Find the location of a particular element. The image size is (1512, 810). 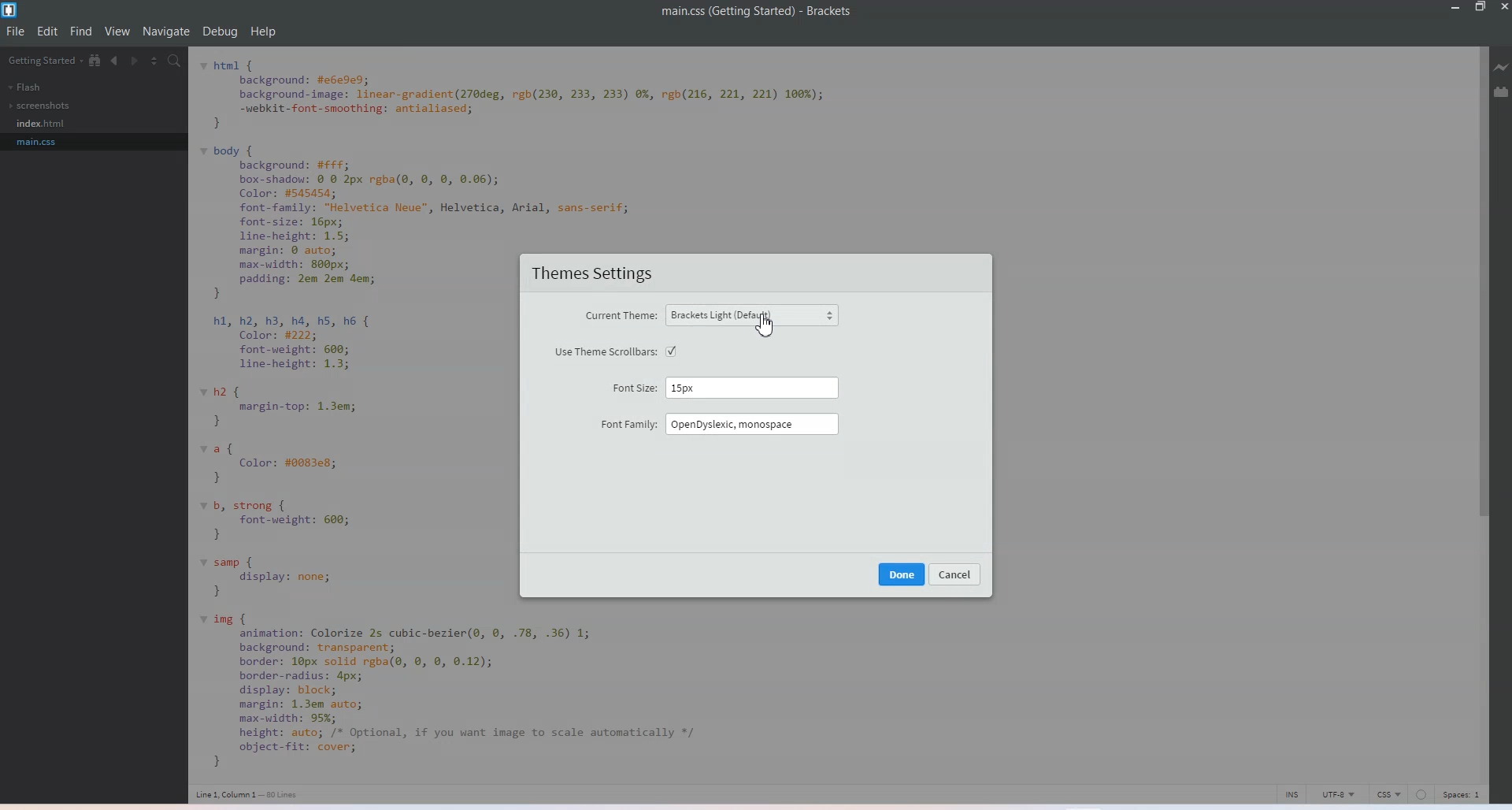

Help is located at coordinates (264, 32).